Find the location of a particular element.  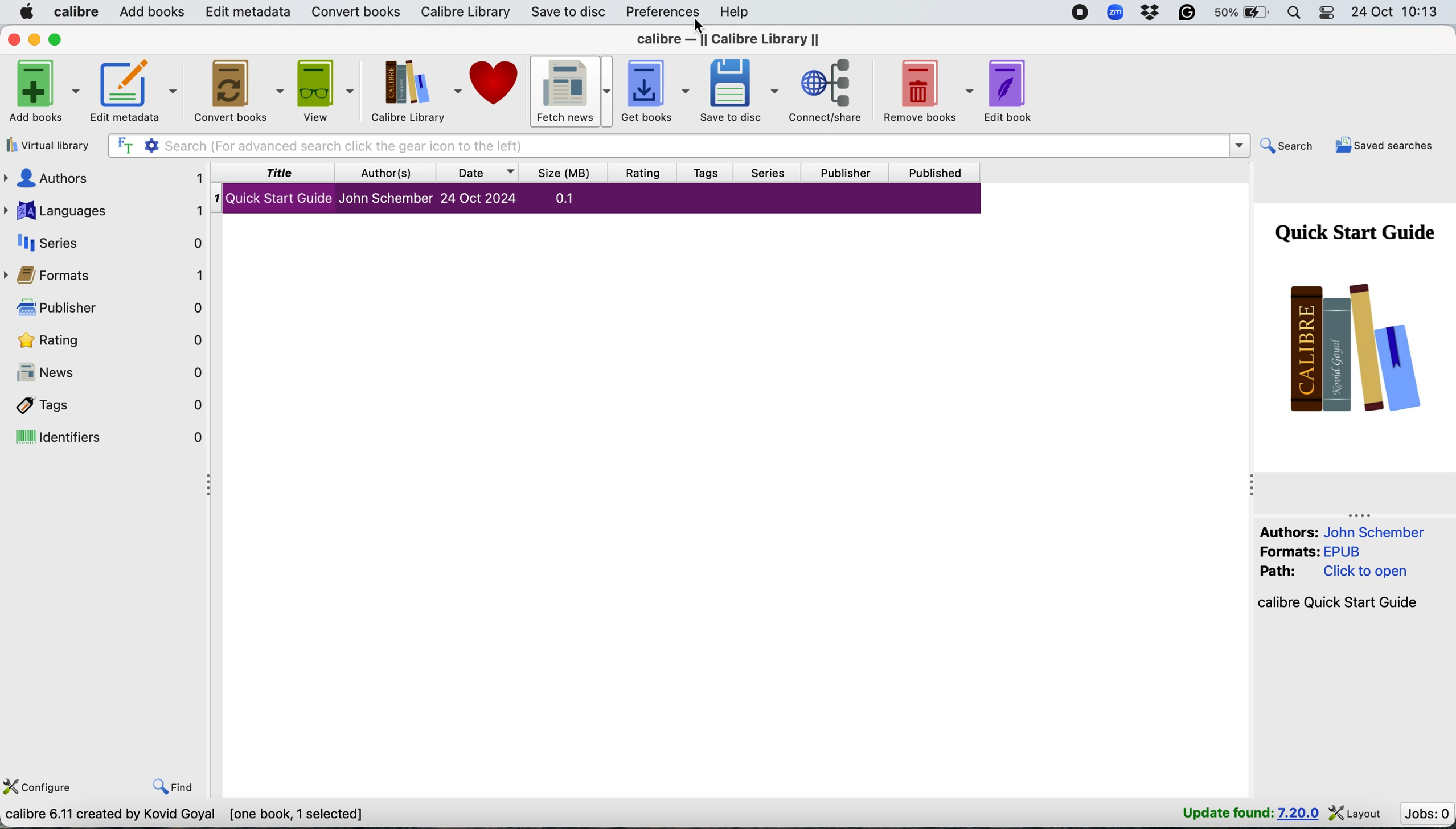

size is located at coordinates (566, 173).